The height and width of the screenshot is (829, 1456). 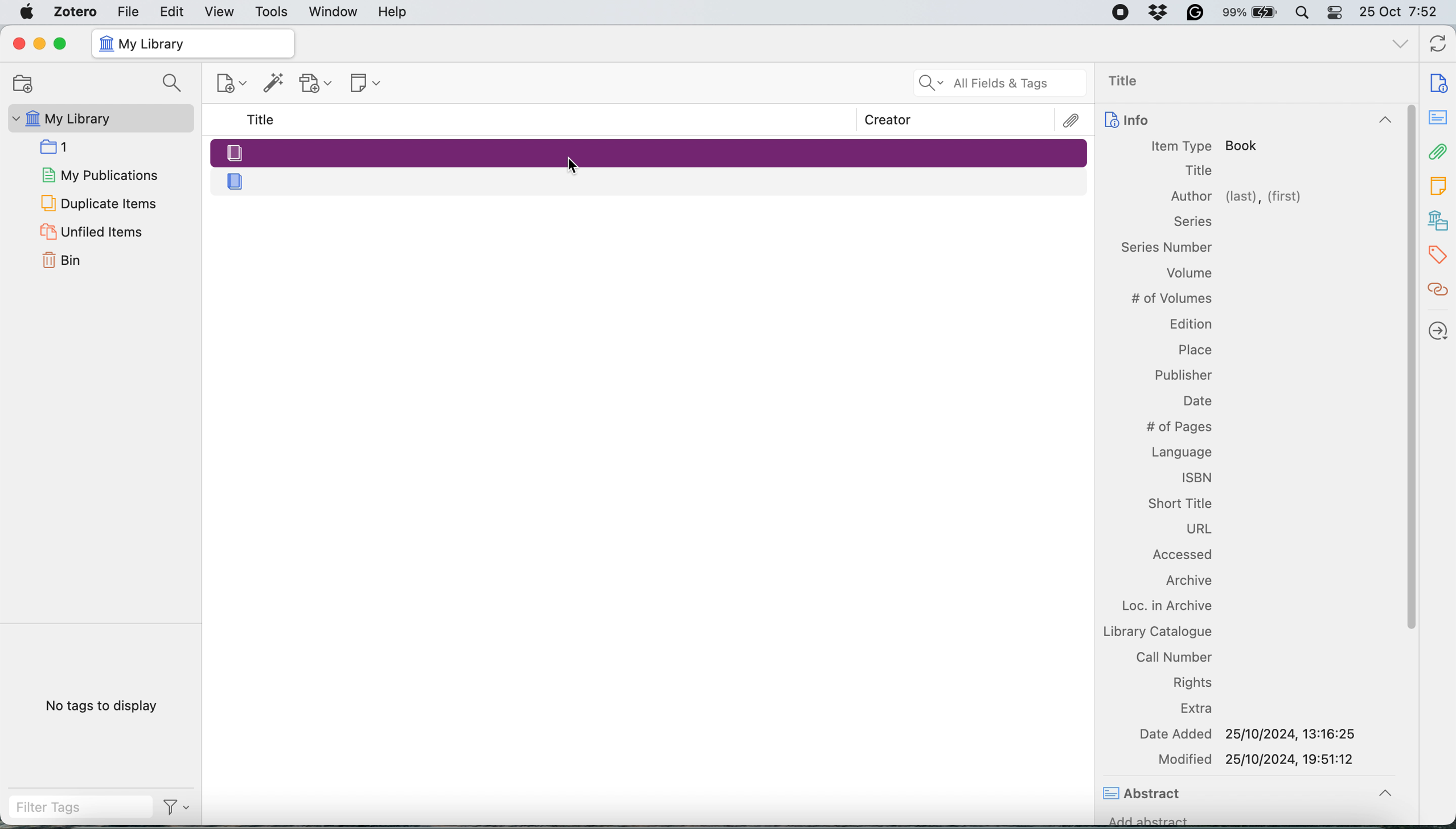 I want to click on Scroll Bar, so click(x=1409, y=436).